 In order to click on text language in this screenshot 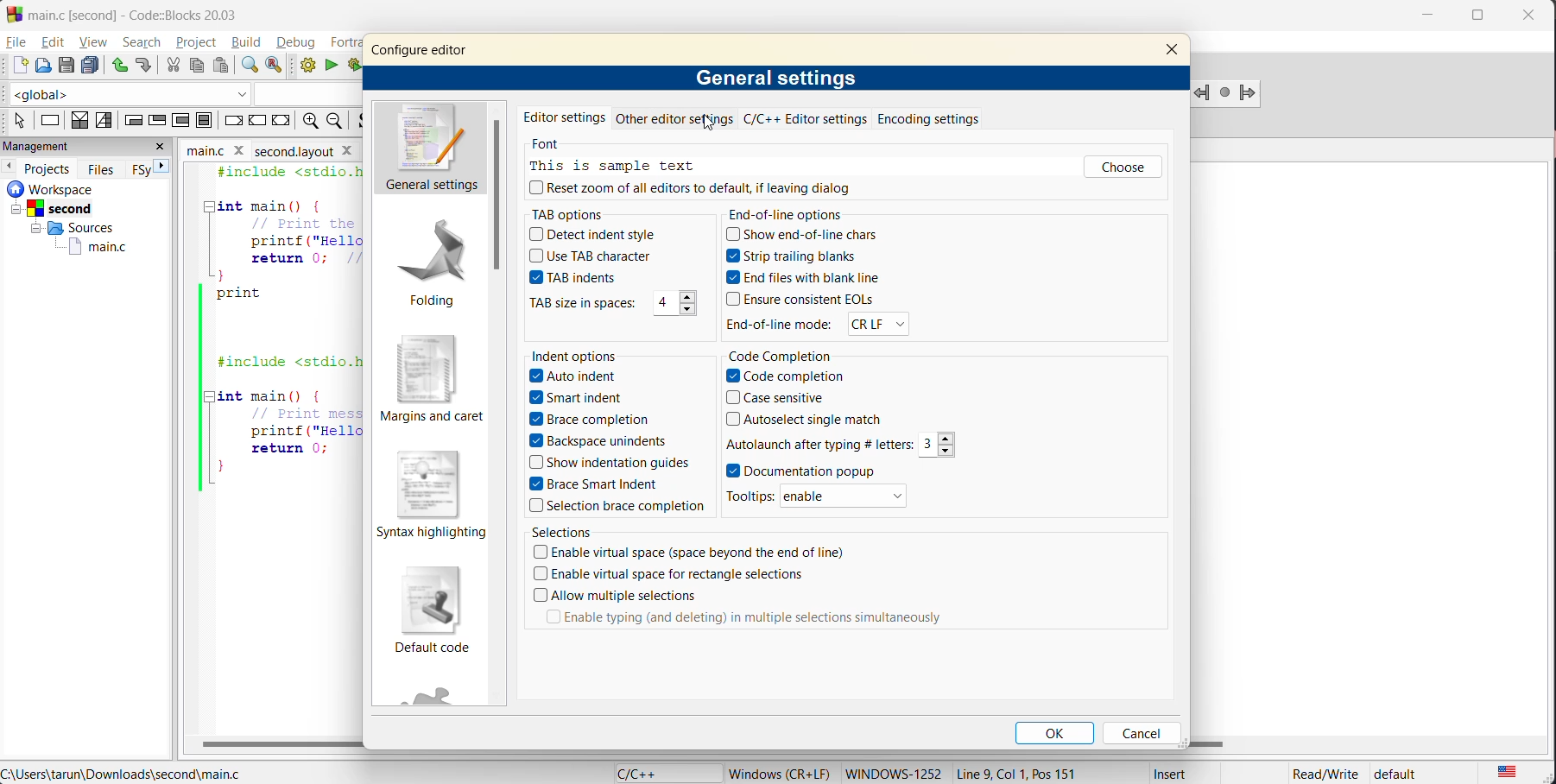, I will do `click(1506, 771)`.